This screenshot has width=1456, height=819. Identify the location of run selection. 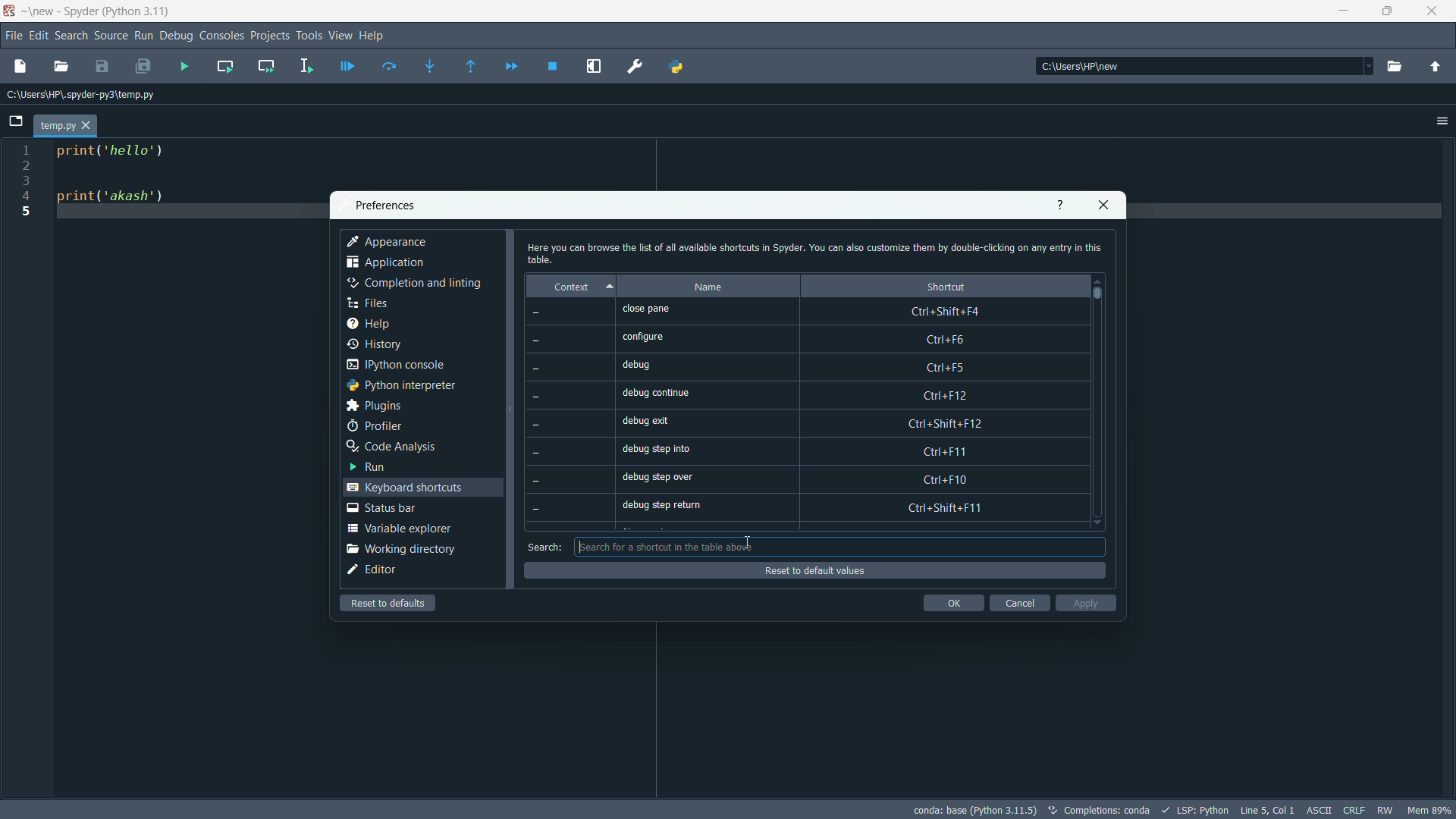
(307, 64).